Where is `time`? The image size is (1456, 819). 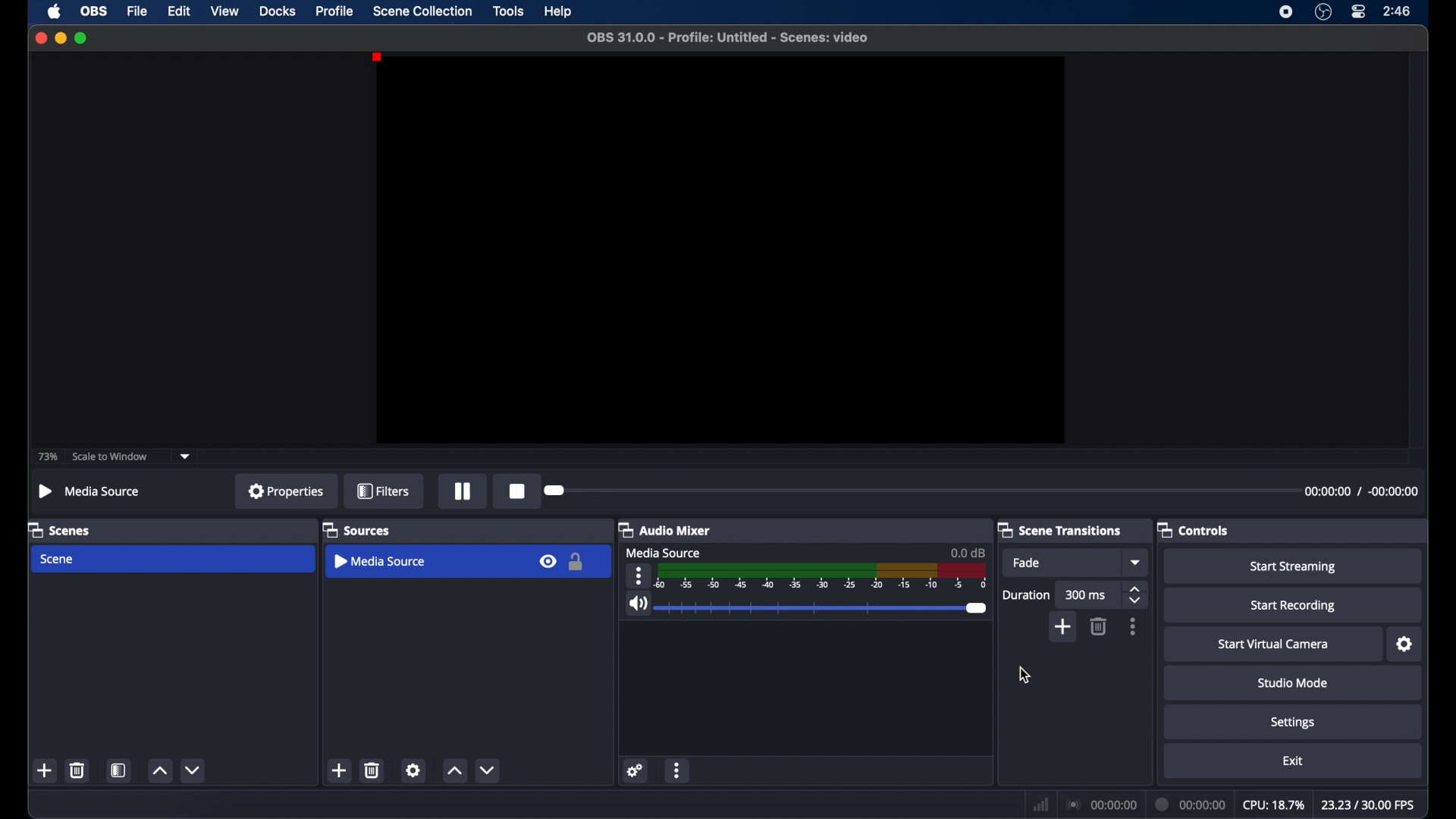
time is located at coordinates (1398, 11).